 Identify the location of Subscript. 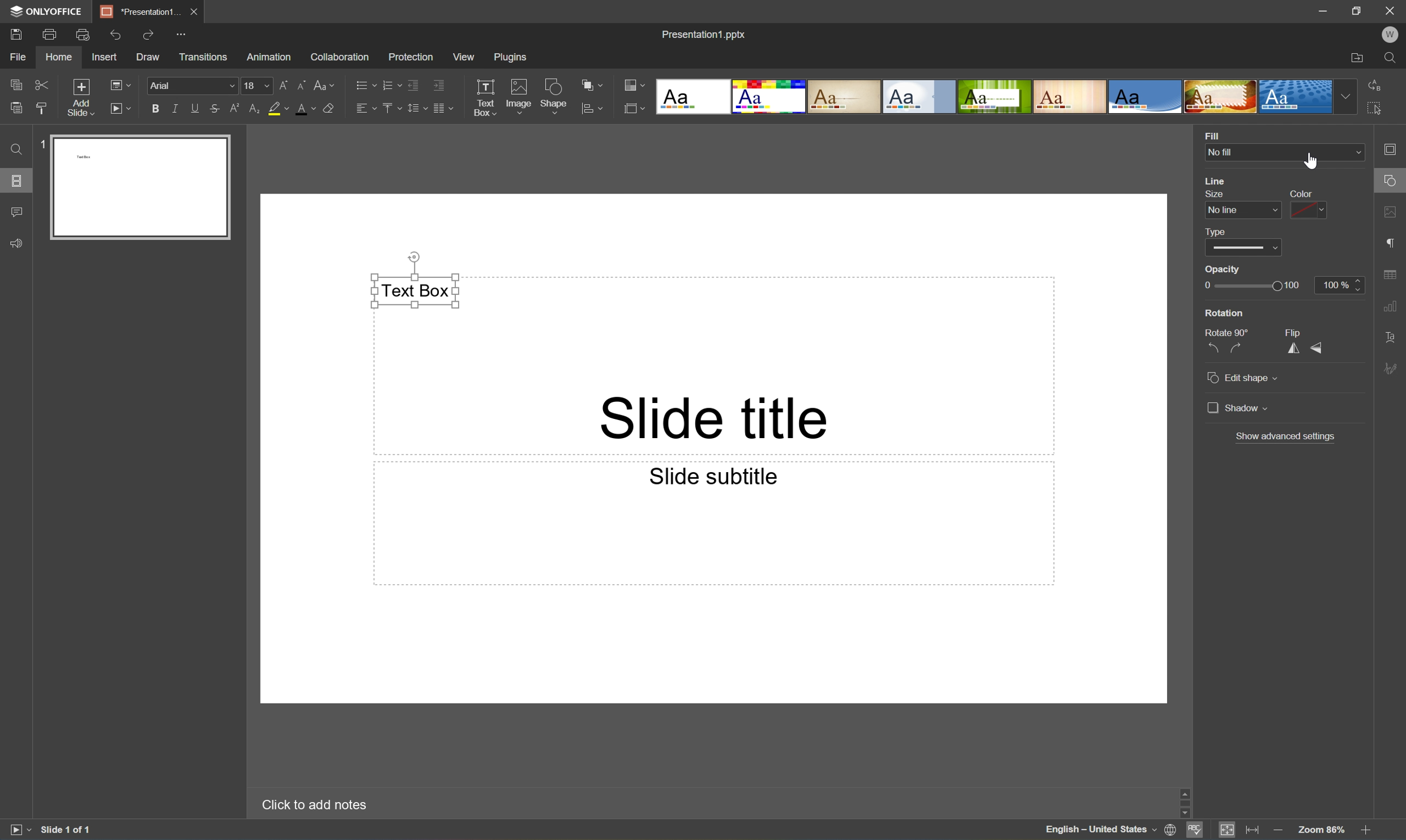
(254, 108).